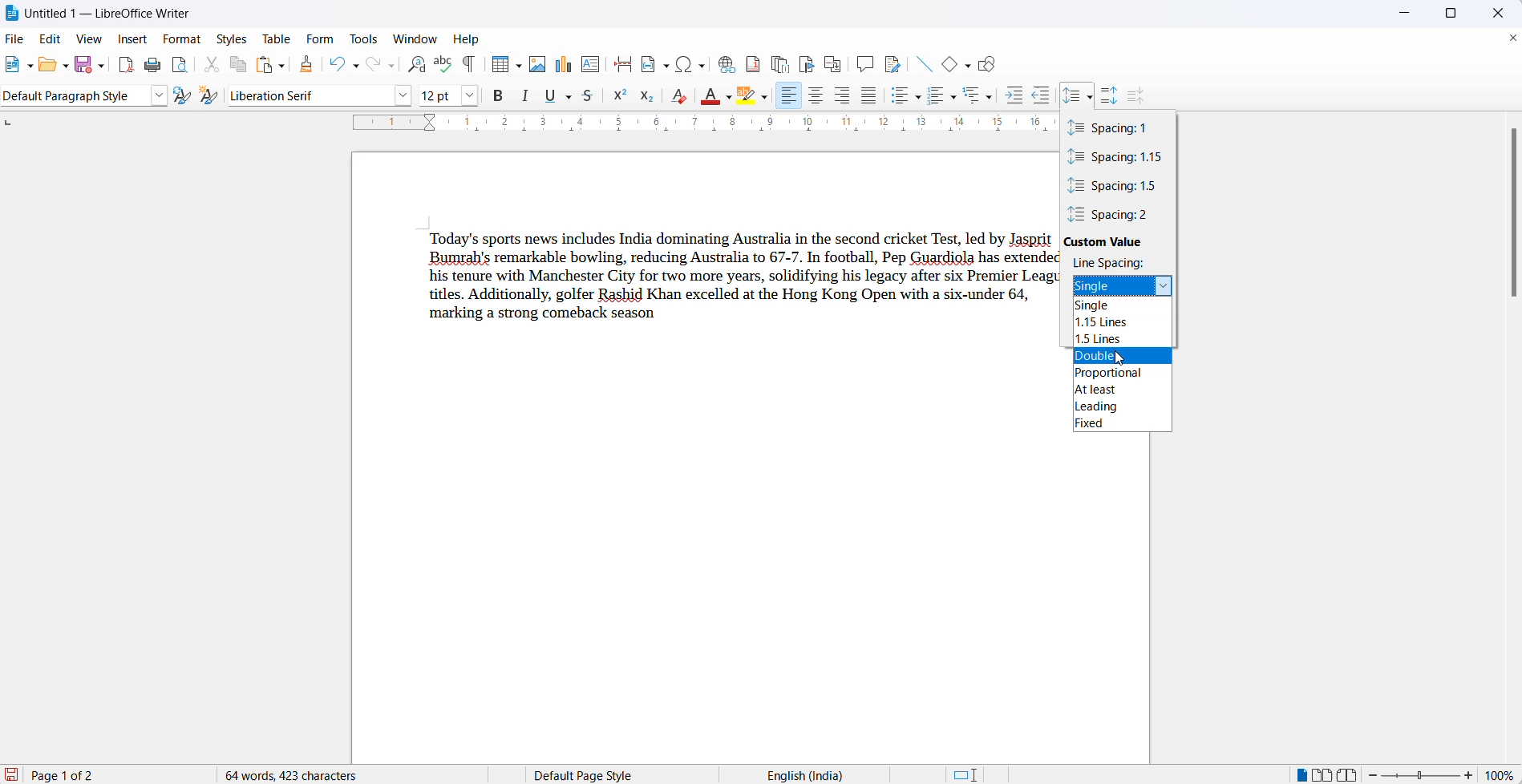  What do you see at coordinates (31, 67) in the screenshot?
I see `new file options` at bounding box center [31, 67].